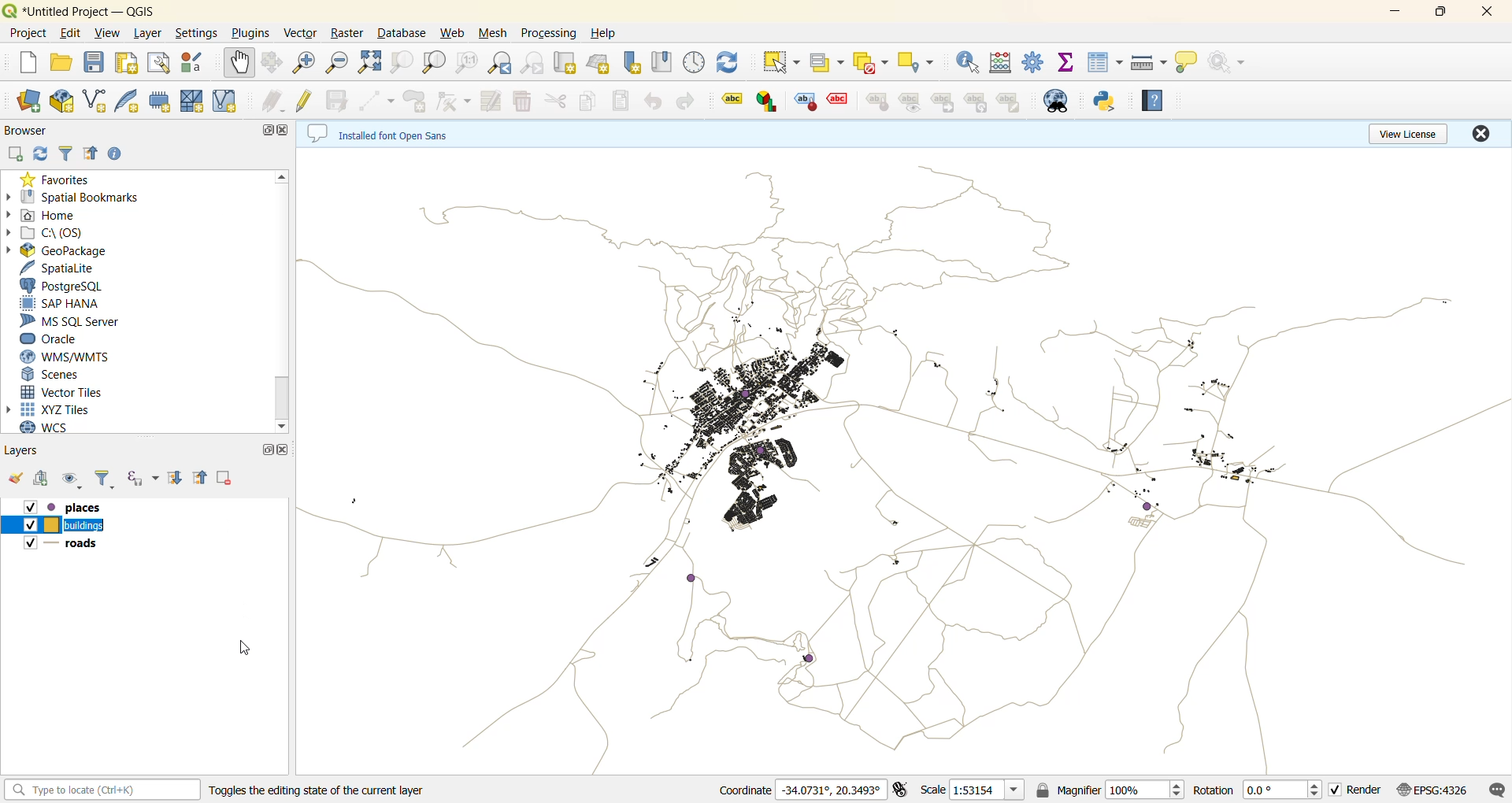 This screenshot has width=1512, height=803. What do you see at coordinates (1486, 13) in the screenshot?
I see `close` at bounding box center [1486, 13].